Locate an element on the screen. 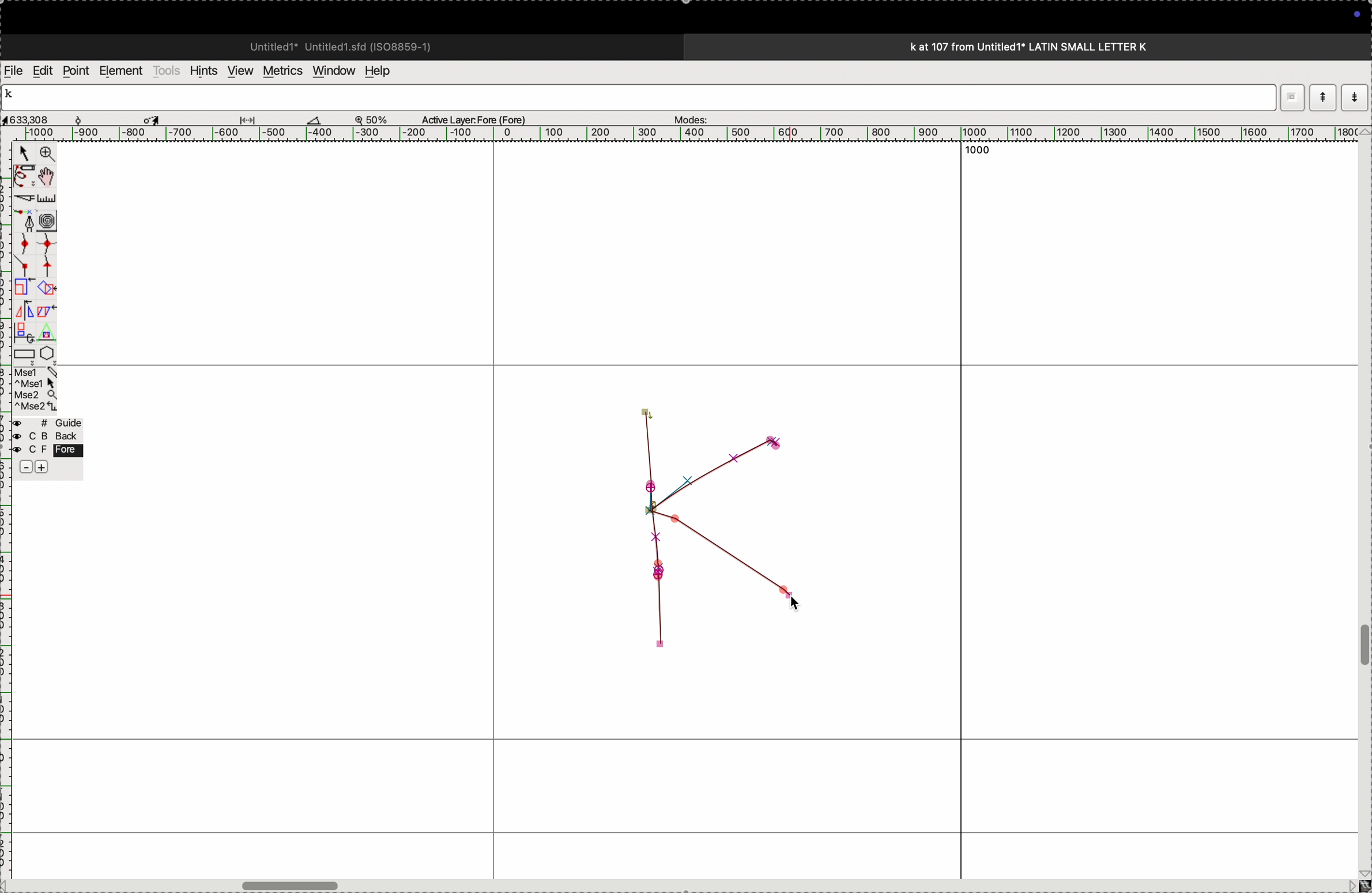 The image size is (1372, 893). cirlcels is located at coordinates (58, 219).